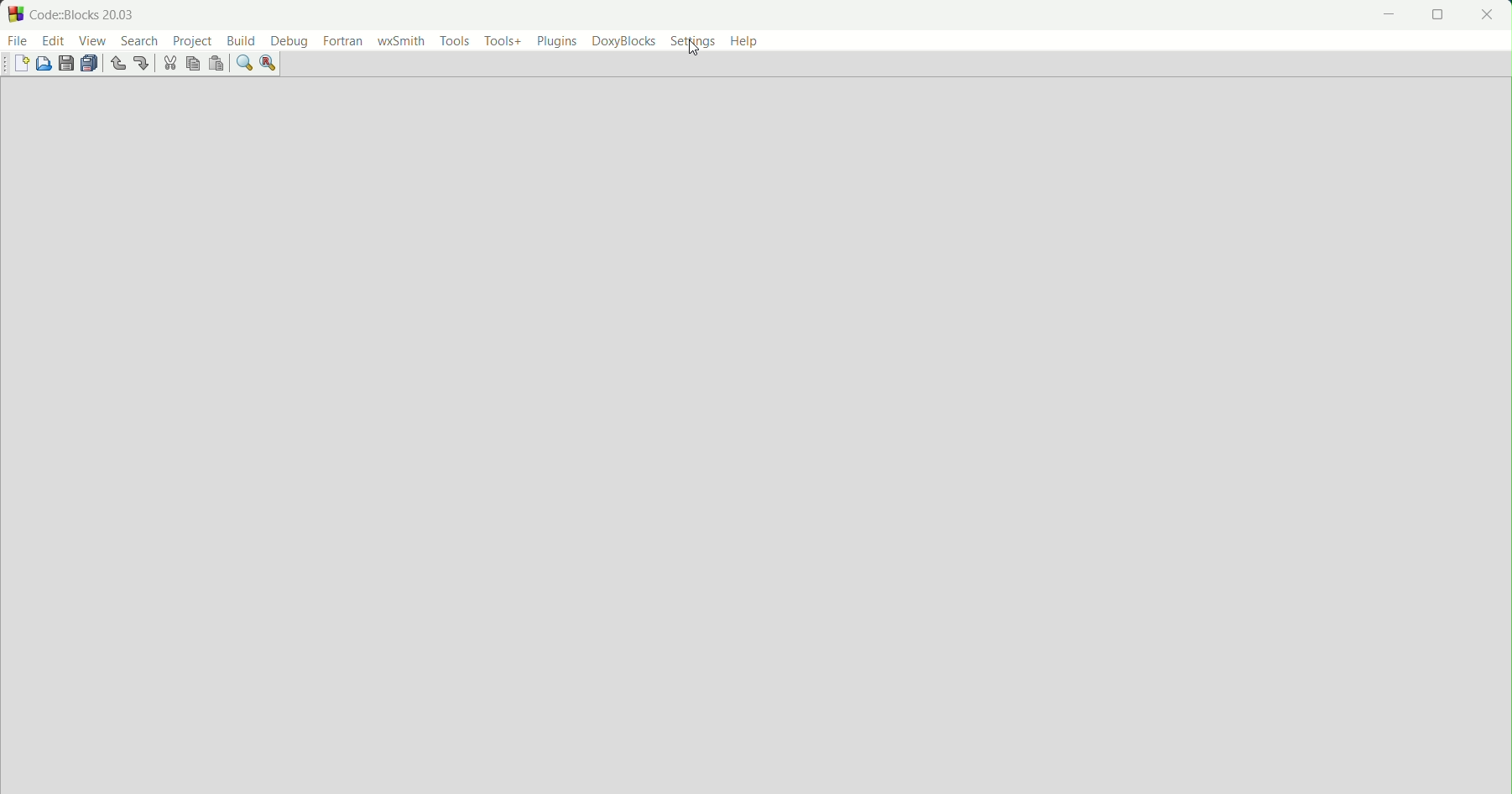  Describe the element at coordinates (745, 40) in the screenshot. I see `help` at that location.